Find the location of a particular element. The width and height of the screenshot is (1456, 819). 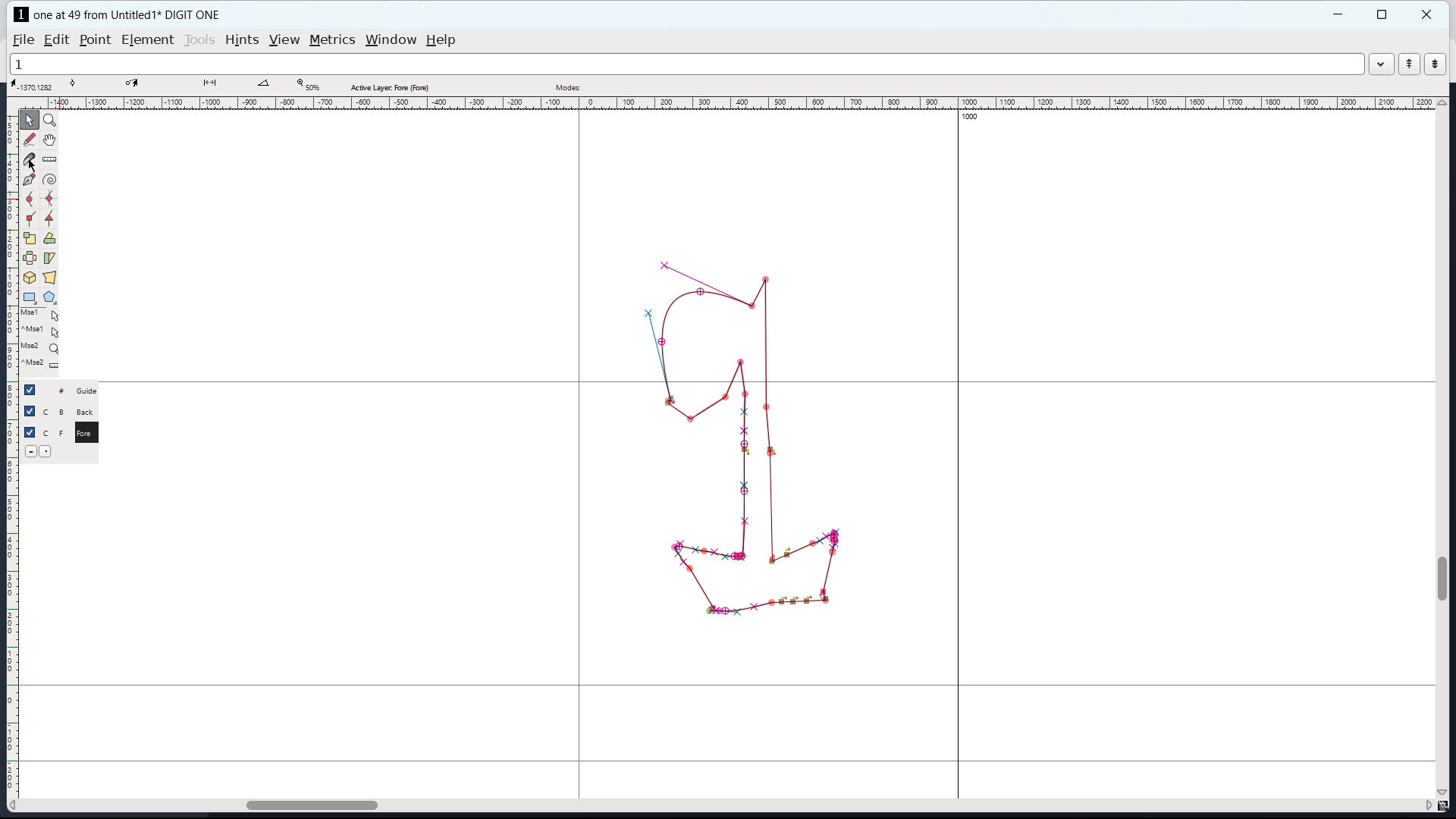

scroll by hand is located at coordinates (49, 140).